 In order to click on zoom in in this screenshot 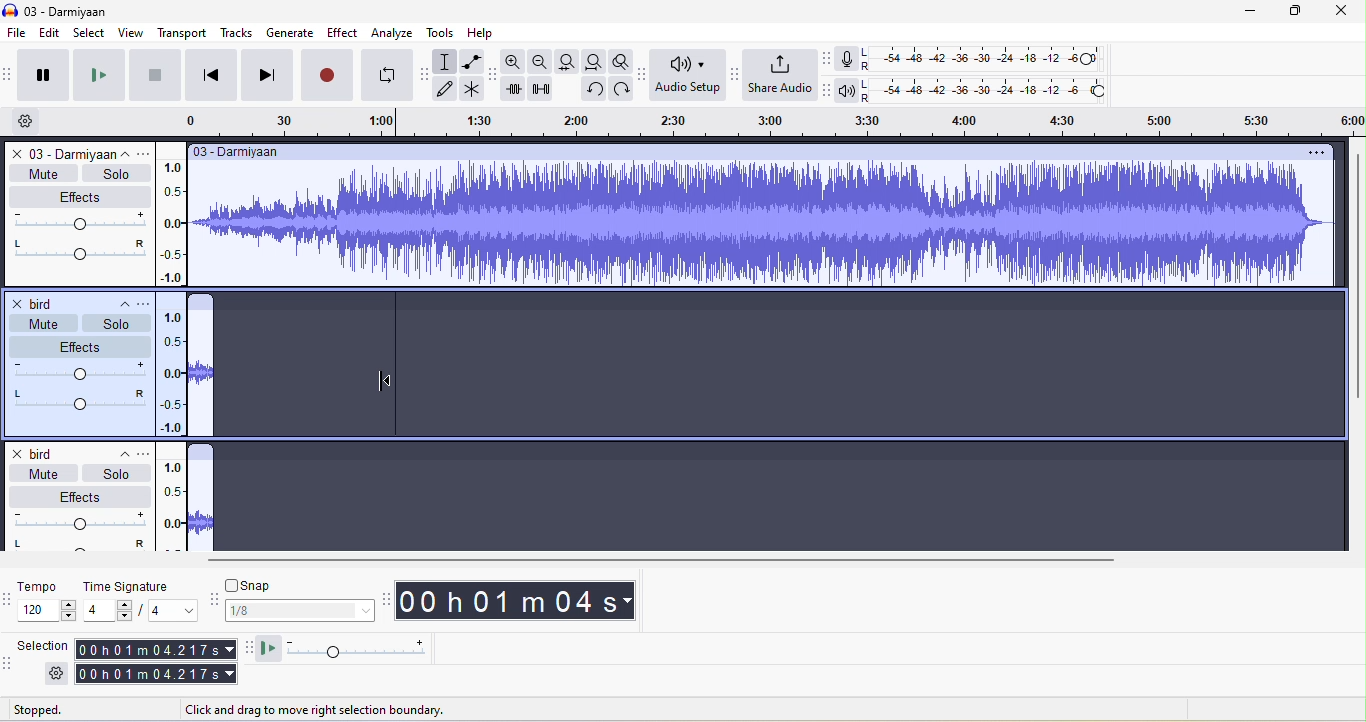, I will do `click(516, 61)`.